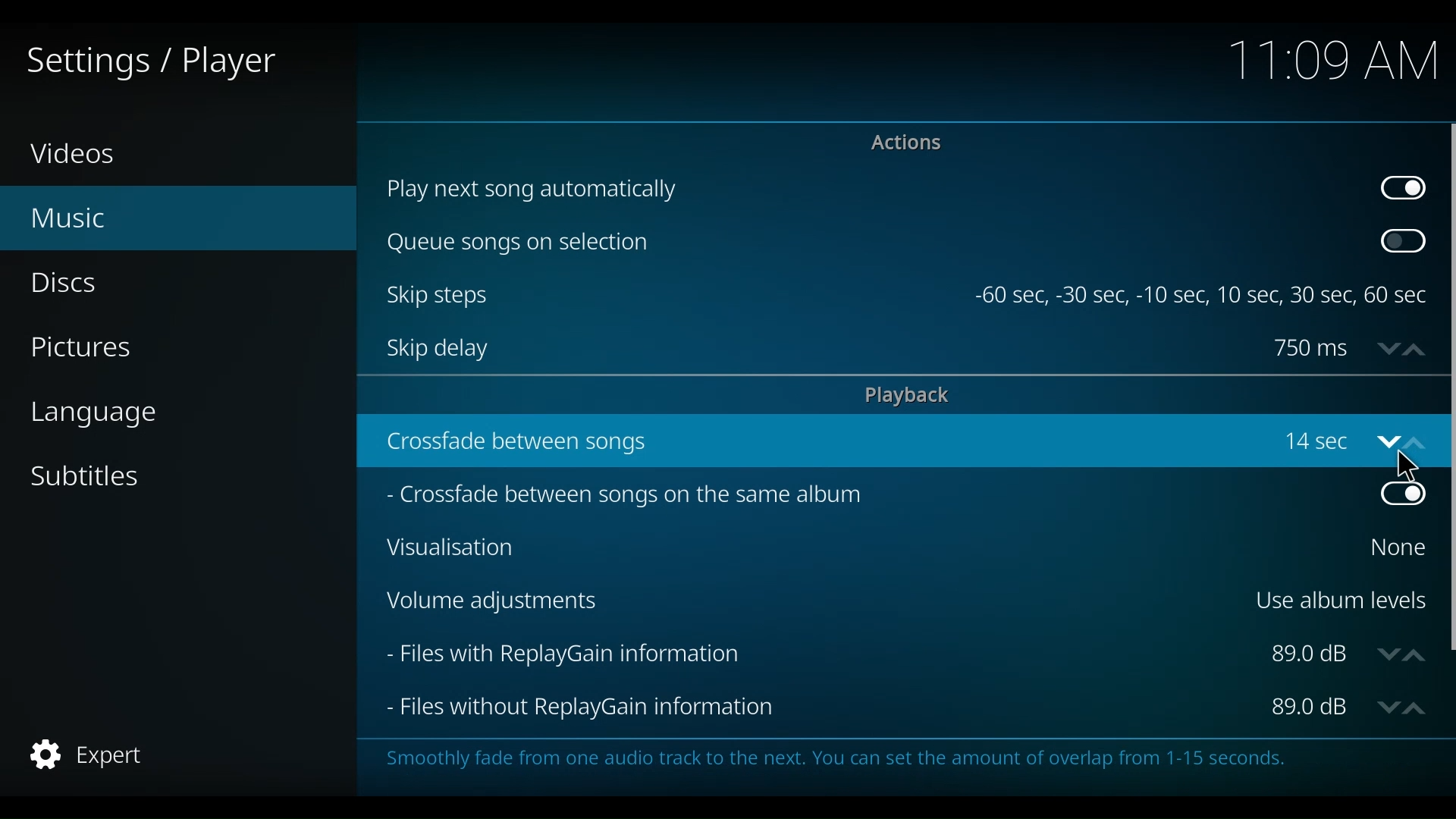 The width and height of the screenshot is (1456, 819). What do you see at coordinates (1327, 60) in the screenshot?
I see `time` at bounding box center [1327, 60].